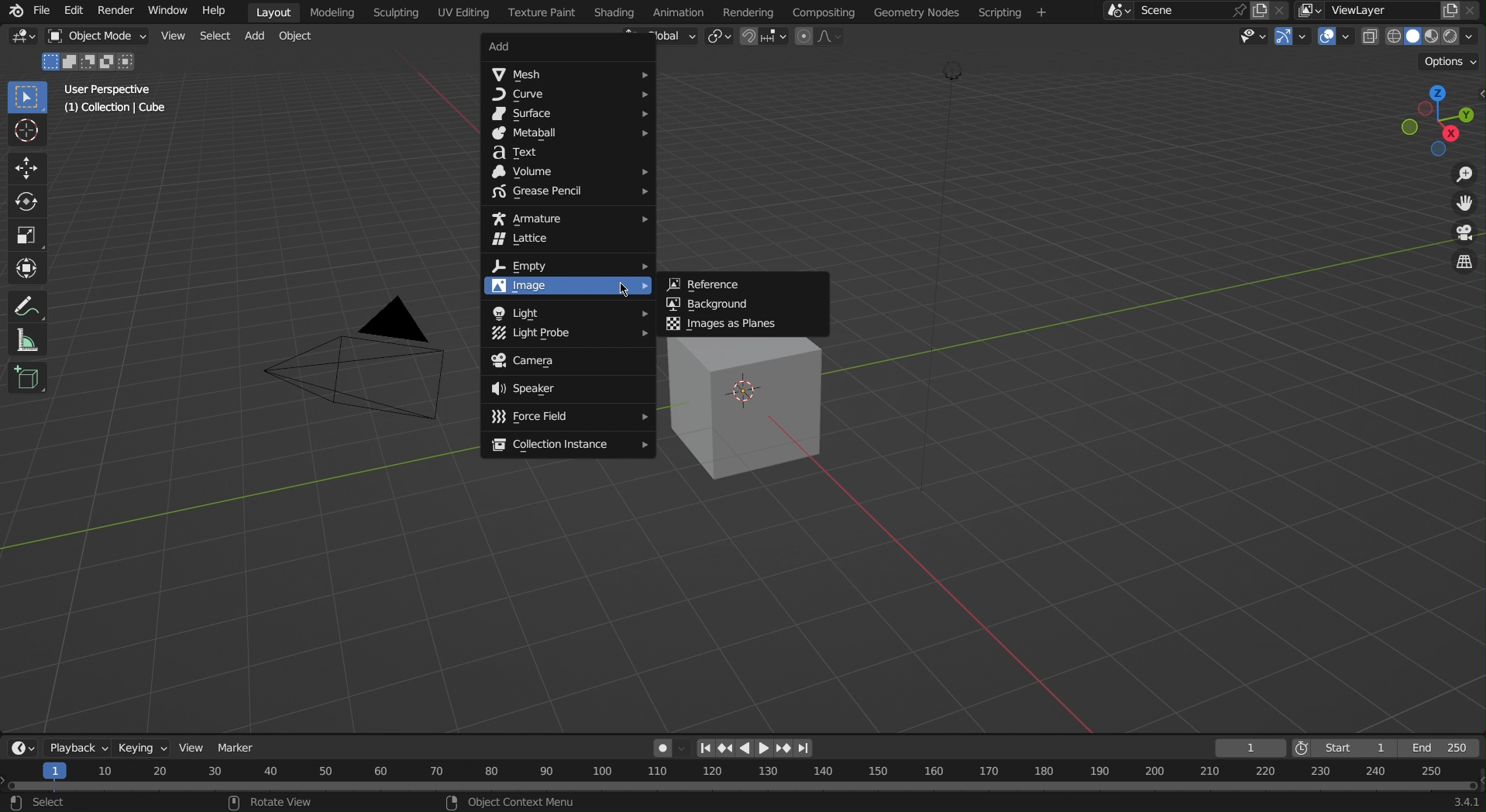 The height and width of the screenshot is (812, 1486). Describe the element at coordinates (1462, 174) in the screenshot. I see `Zoom` at that location.